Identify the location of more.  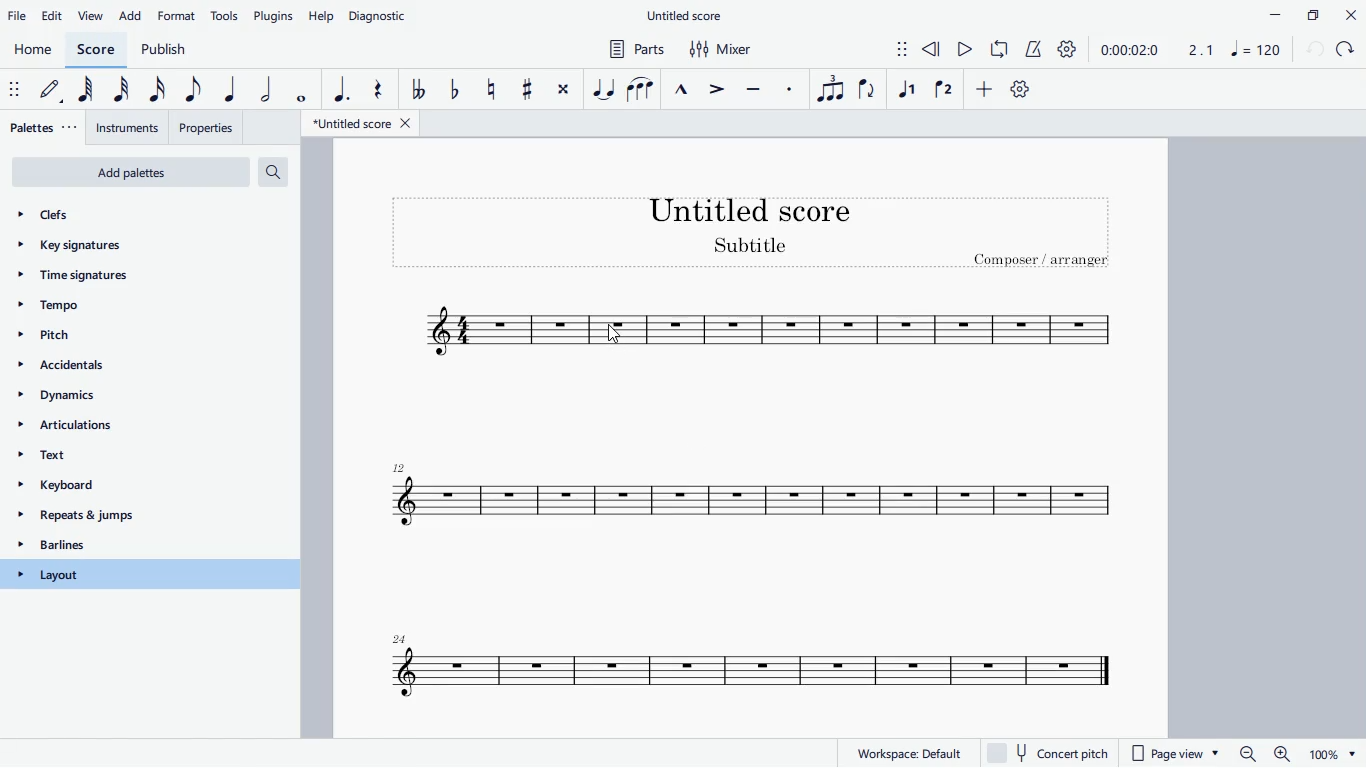
(987, 92).